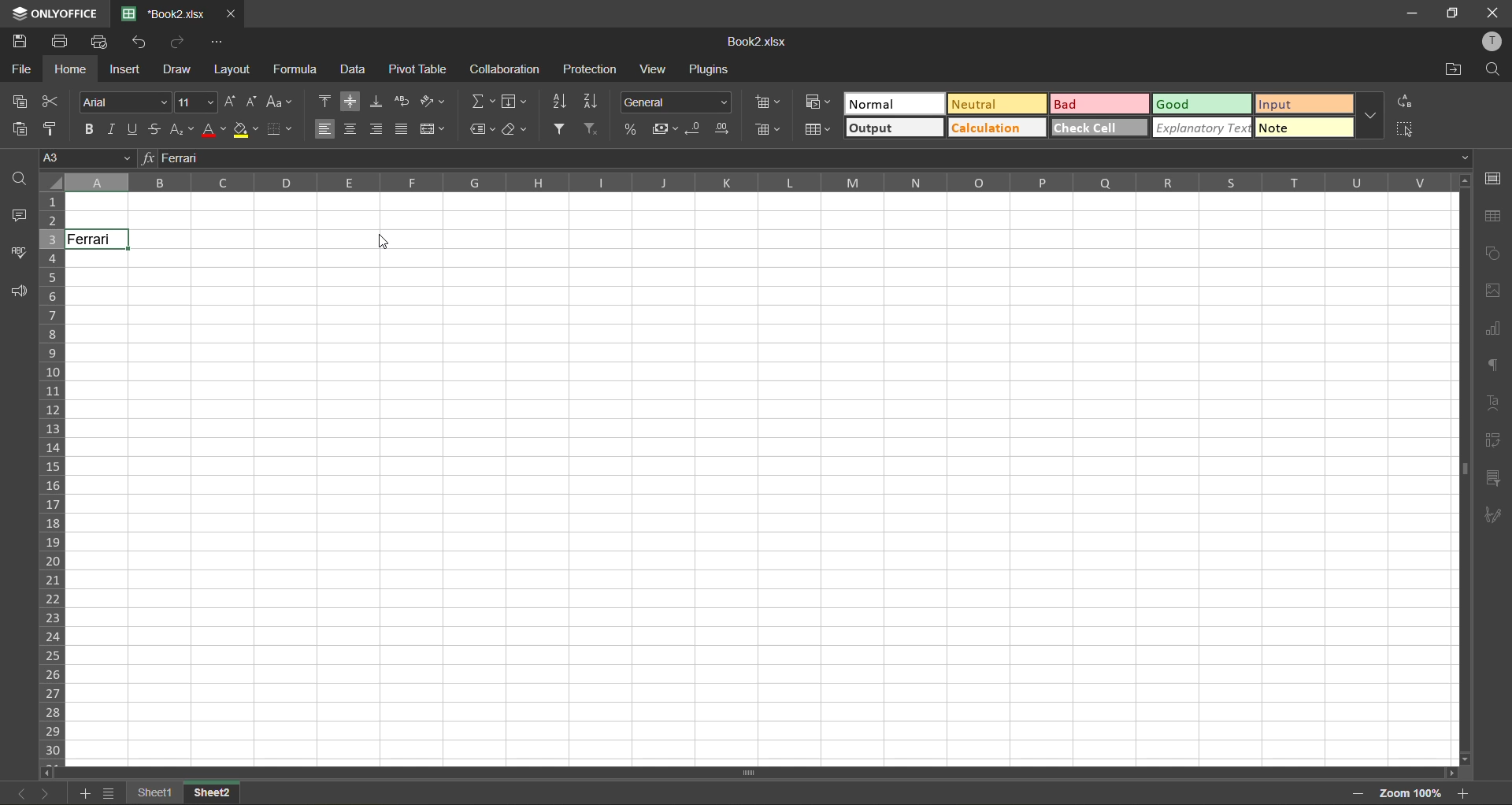  I want to click on customize quick access toolbar, so click(218, 46).